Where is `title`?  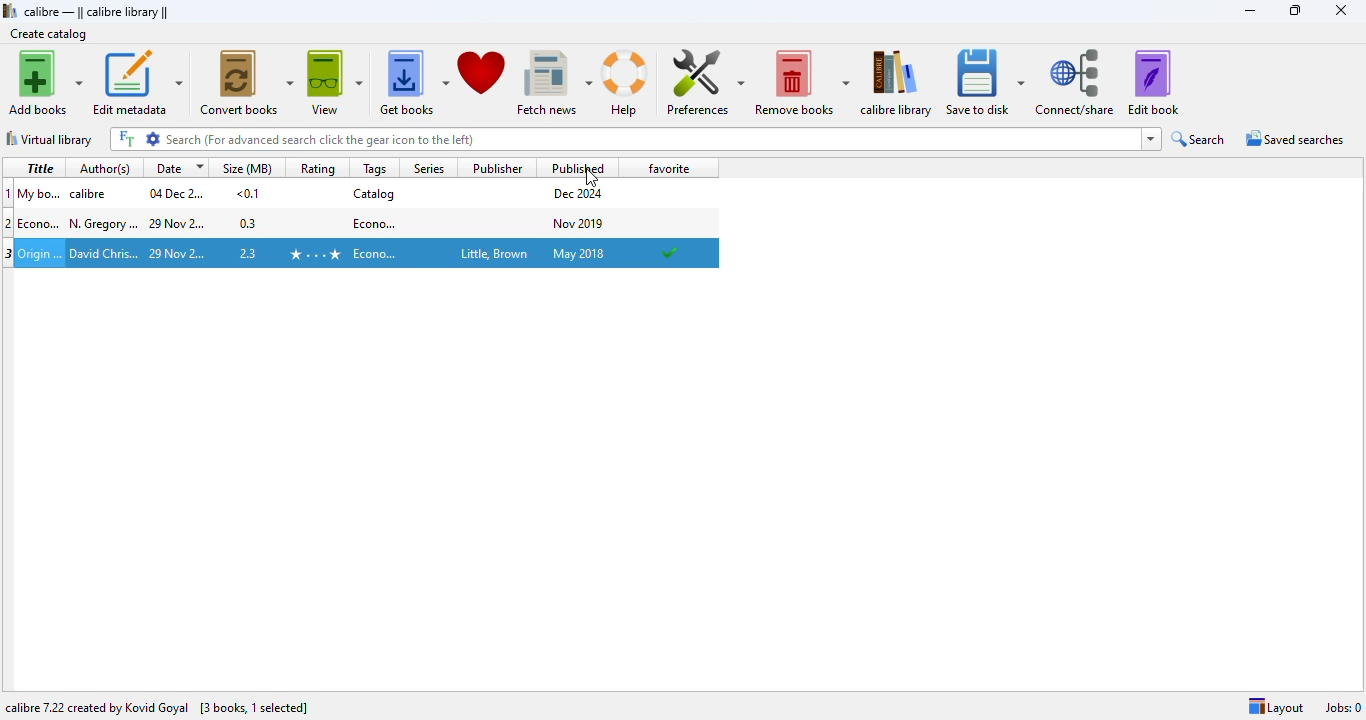 title is located at coordinates (40, 222).